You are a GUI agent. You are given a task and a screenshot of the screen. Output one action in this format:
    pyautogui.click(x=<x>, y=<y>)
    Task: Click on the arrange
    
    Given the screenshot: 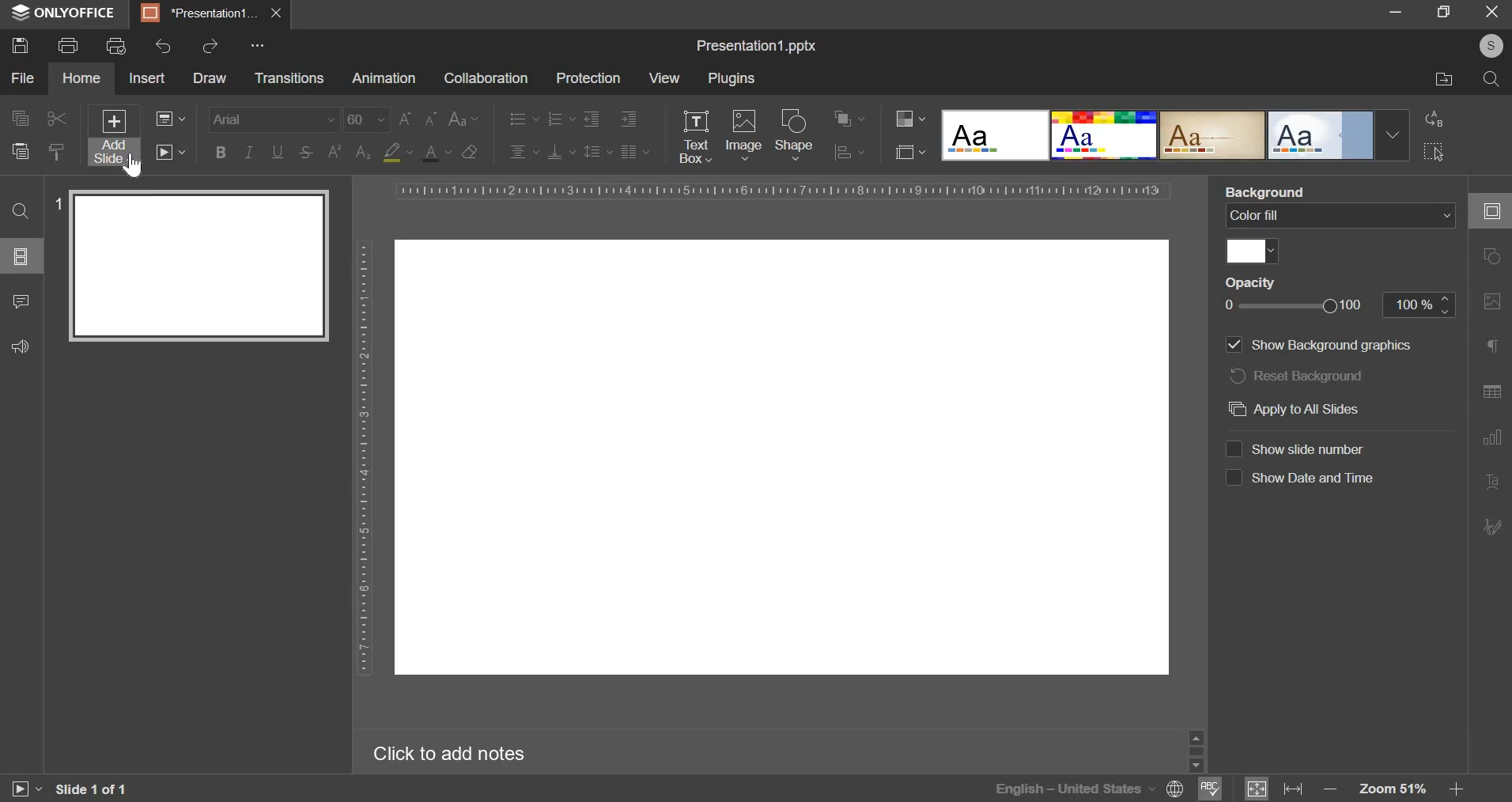 What is the action you would take?
    pyautogui.click(x=849, y=119)
    